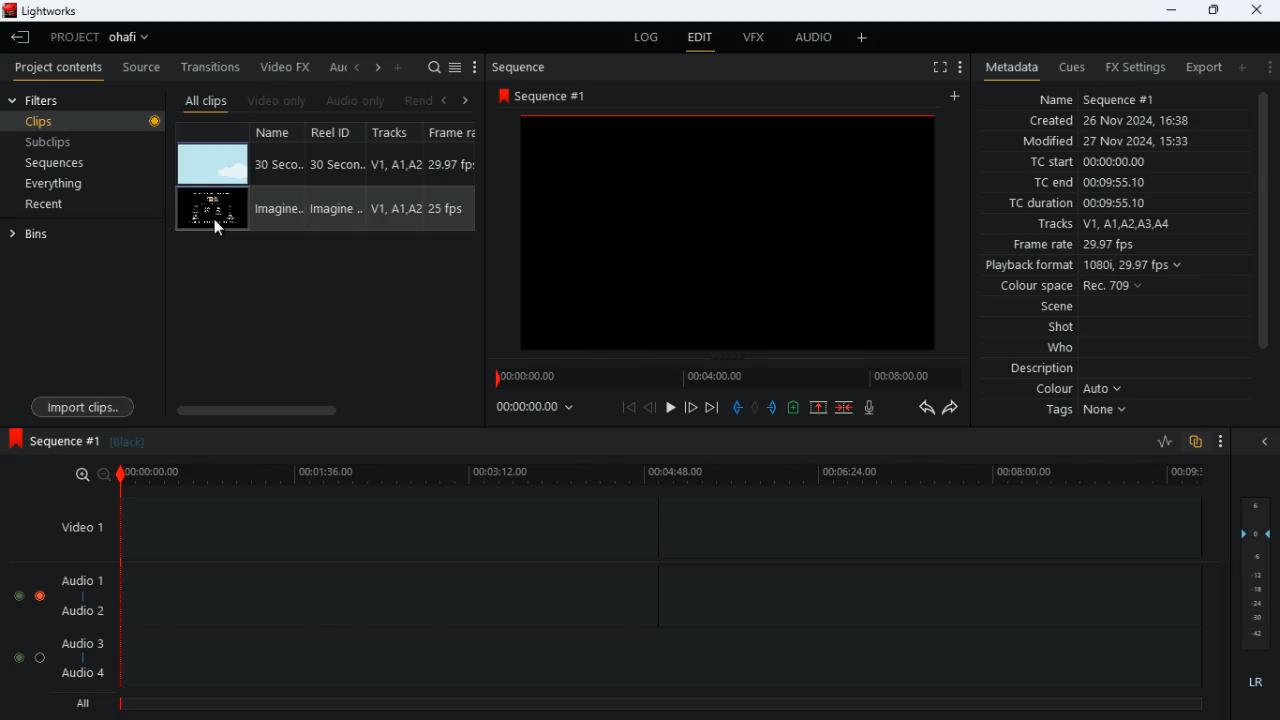  What do you see at coordinates (1107, 224) in the screenshot?
I see `tracks` at bounding box center [1107, 224].